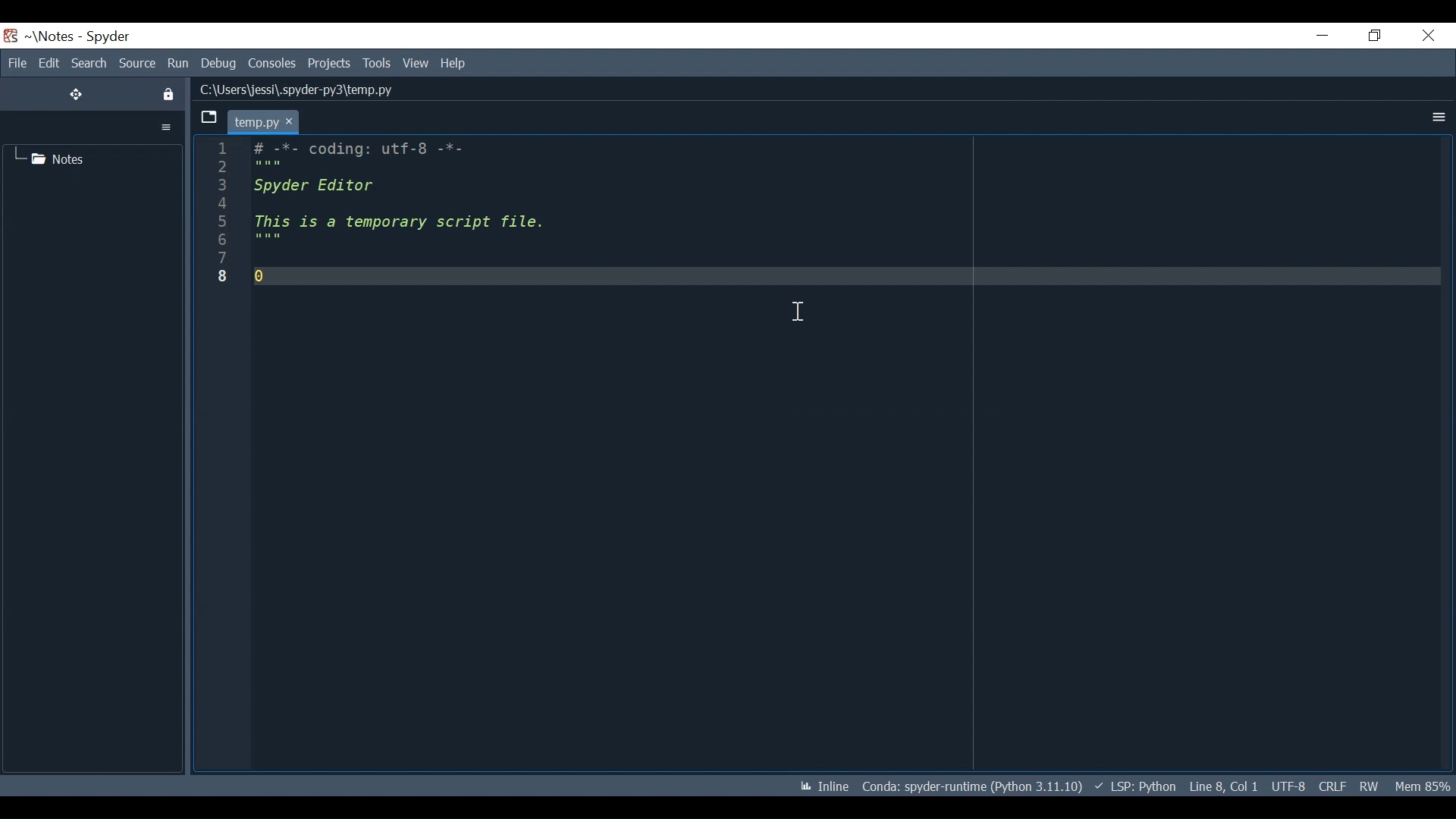  What do you see at coordinates (1323, 34) in the screenshot?
I see `Minimize` at bounding box center [1323, 34].